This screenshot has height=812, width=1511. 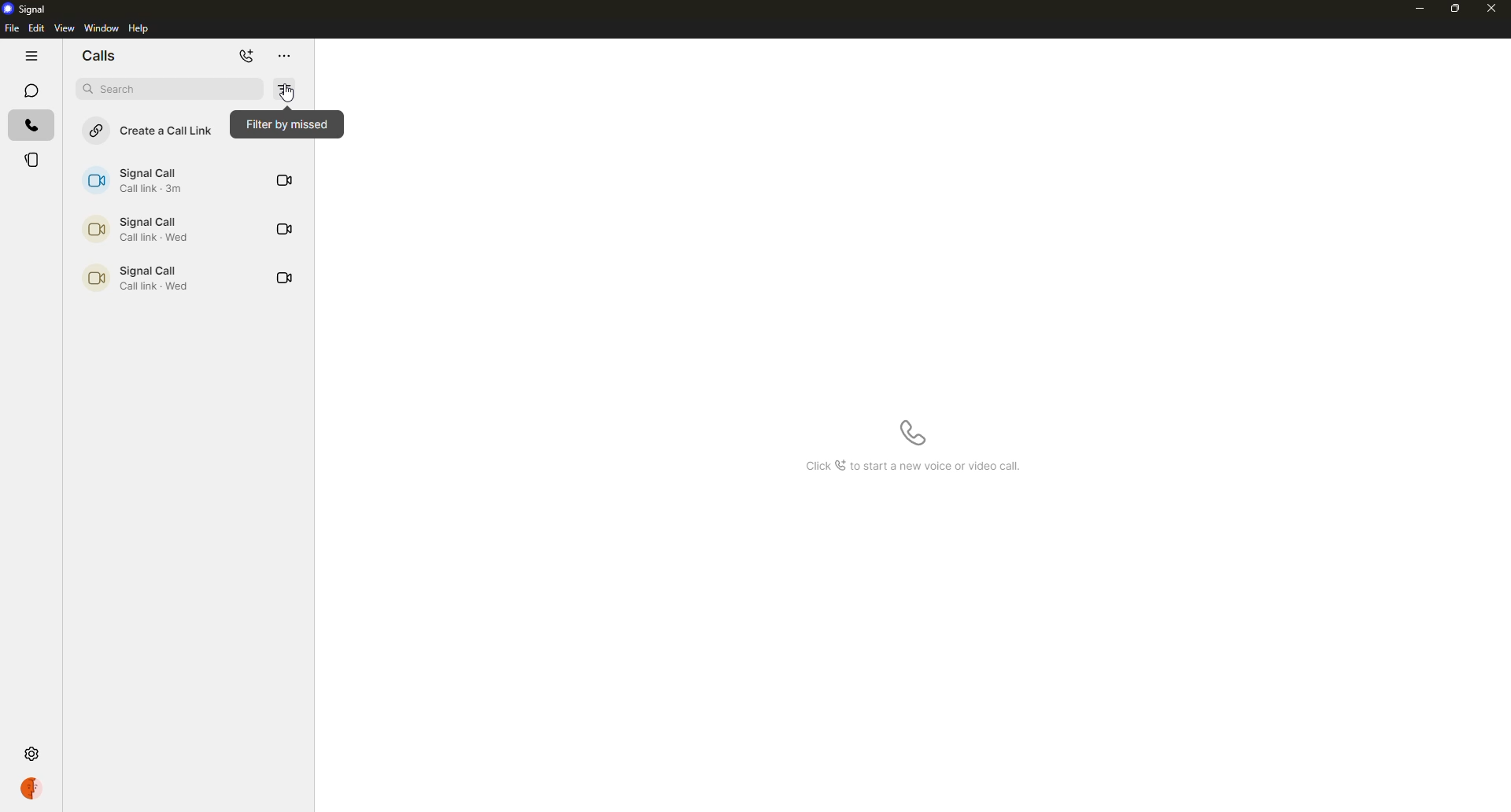 What do you see at coordinates (35, 28) in the screenshot?
I see `edit` at bounding box center [35, 28].